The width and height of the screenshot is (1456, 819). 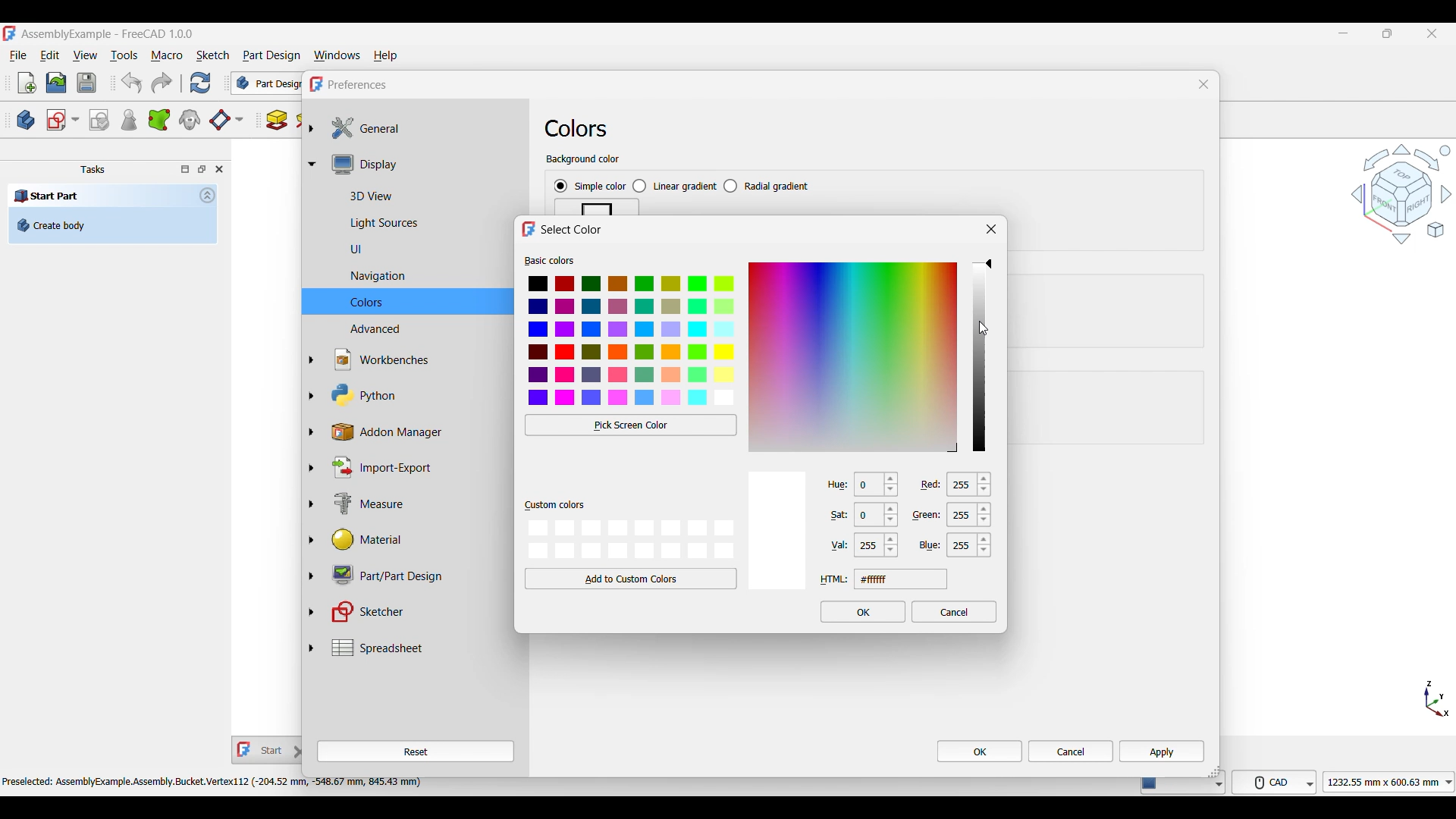 What do you see at coordinates (414, 540) in the screenshot?
I see `Material` at bounding box center [414, 540].